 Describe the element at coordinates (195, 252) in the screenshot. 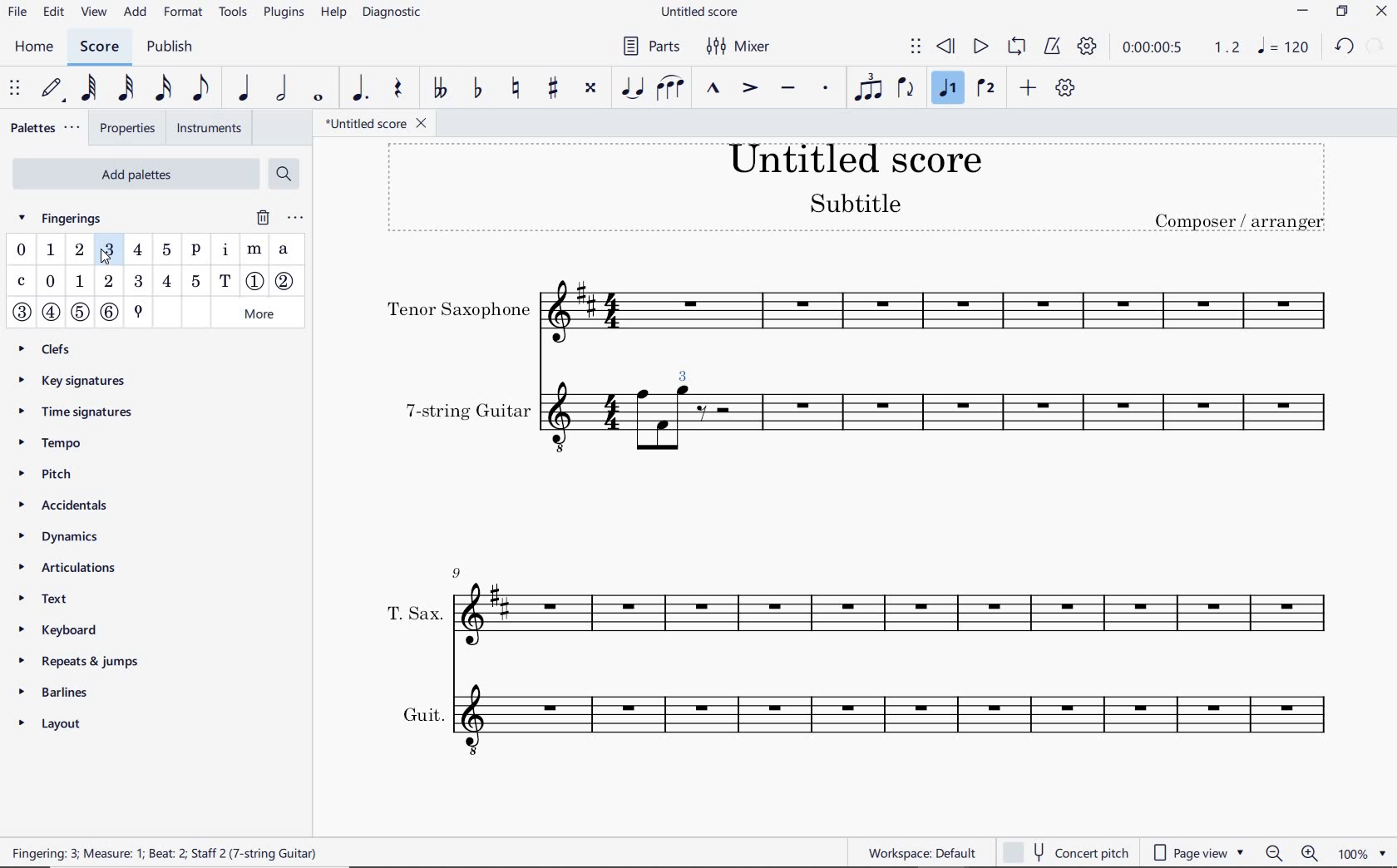

I see `rh guitar fingering p` at that location.